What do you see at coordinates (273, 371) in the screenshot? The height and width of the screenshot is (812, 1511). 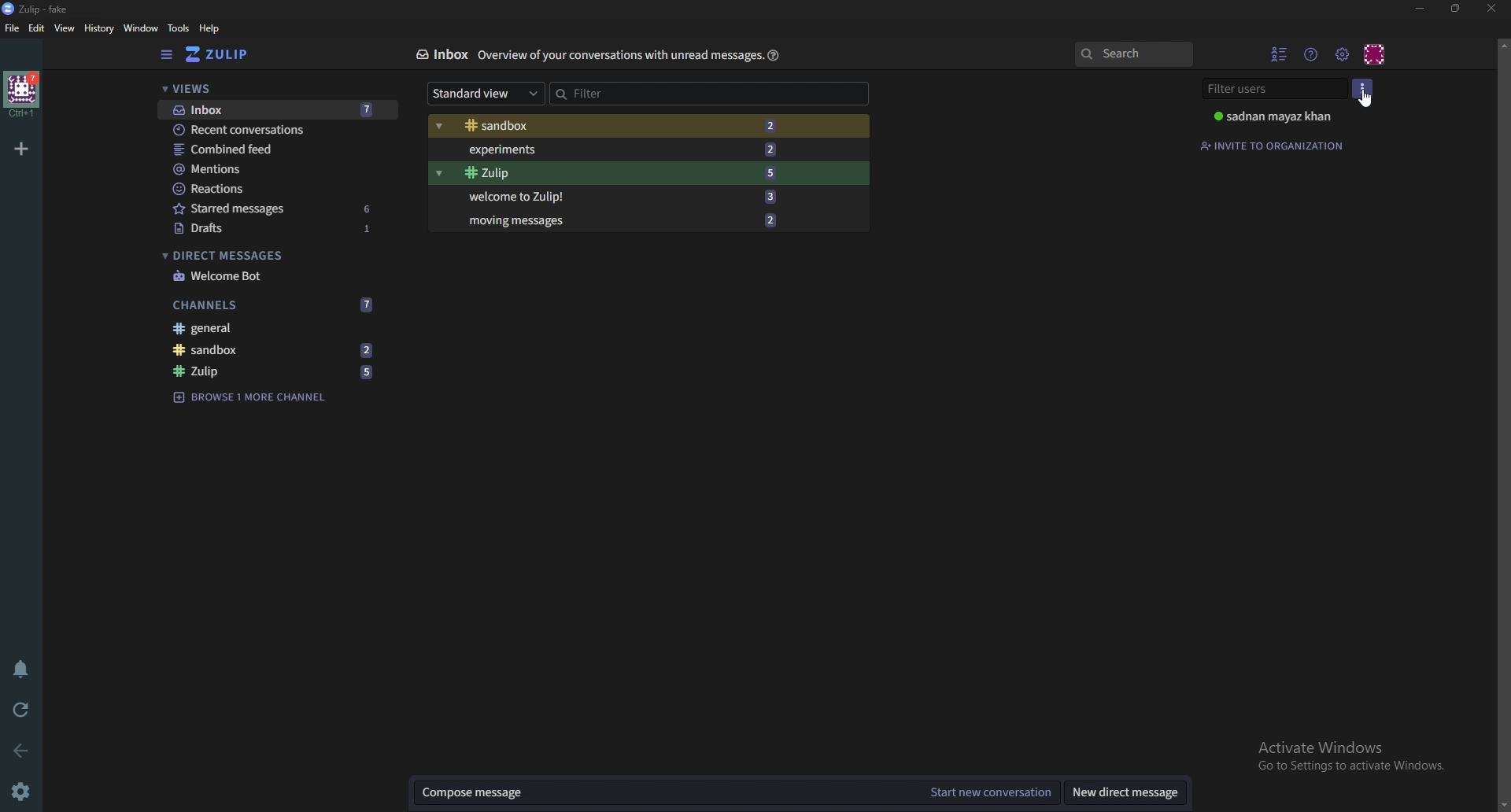 I see `Zulip` at bounding box center [273, 371].